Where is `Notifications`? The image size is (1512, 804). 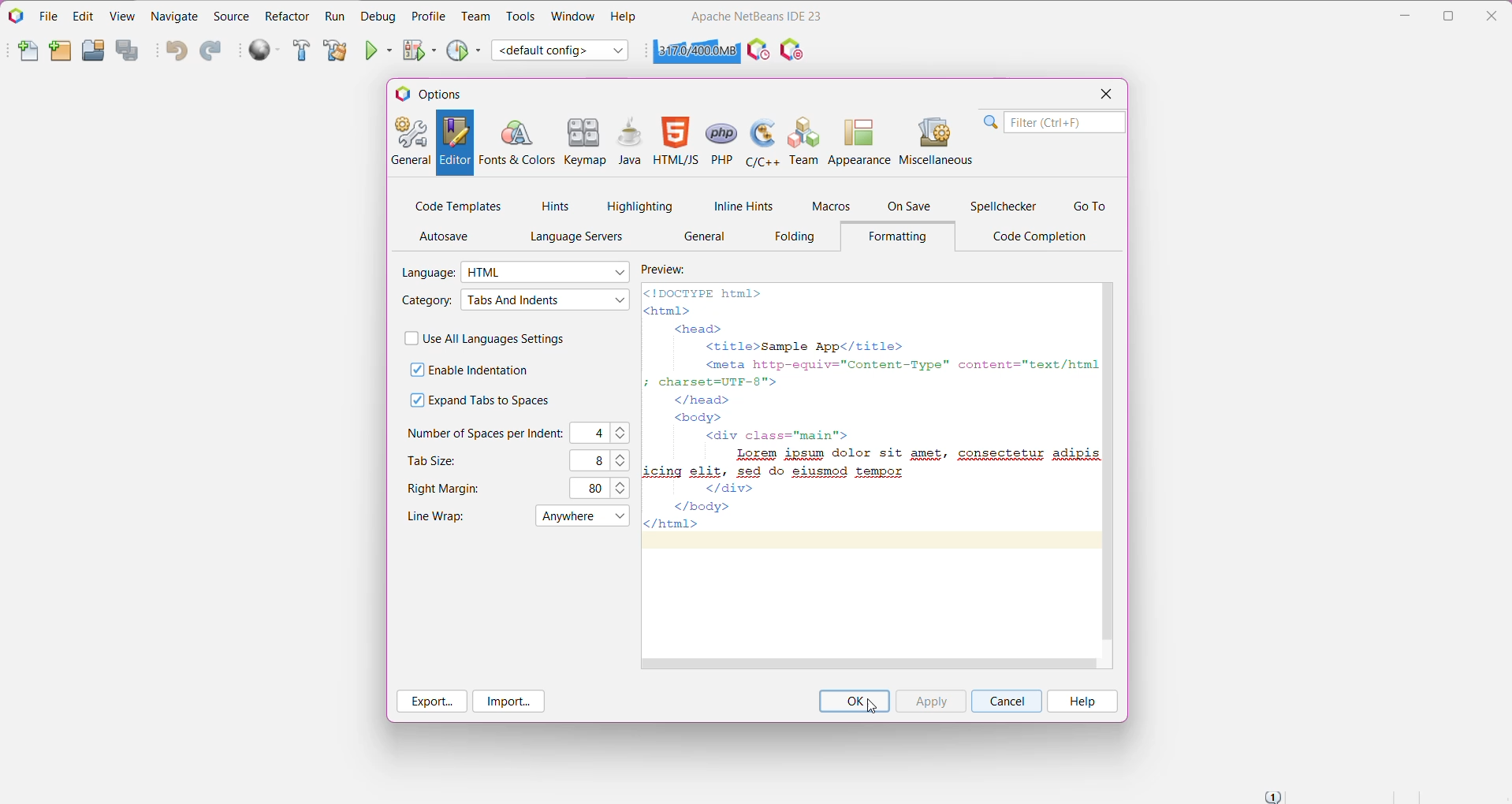
Notifications is located at coordinates (1272, 796).